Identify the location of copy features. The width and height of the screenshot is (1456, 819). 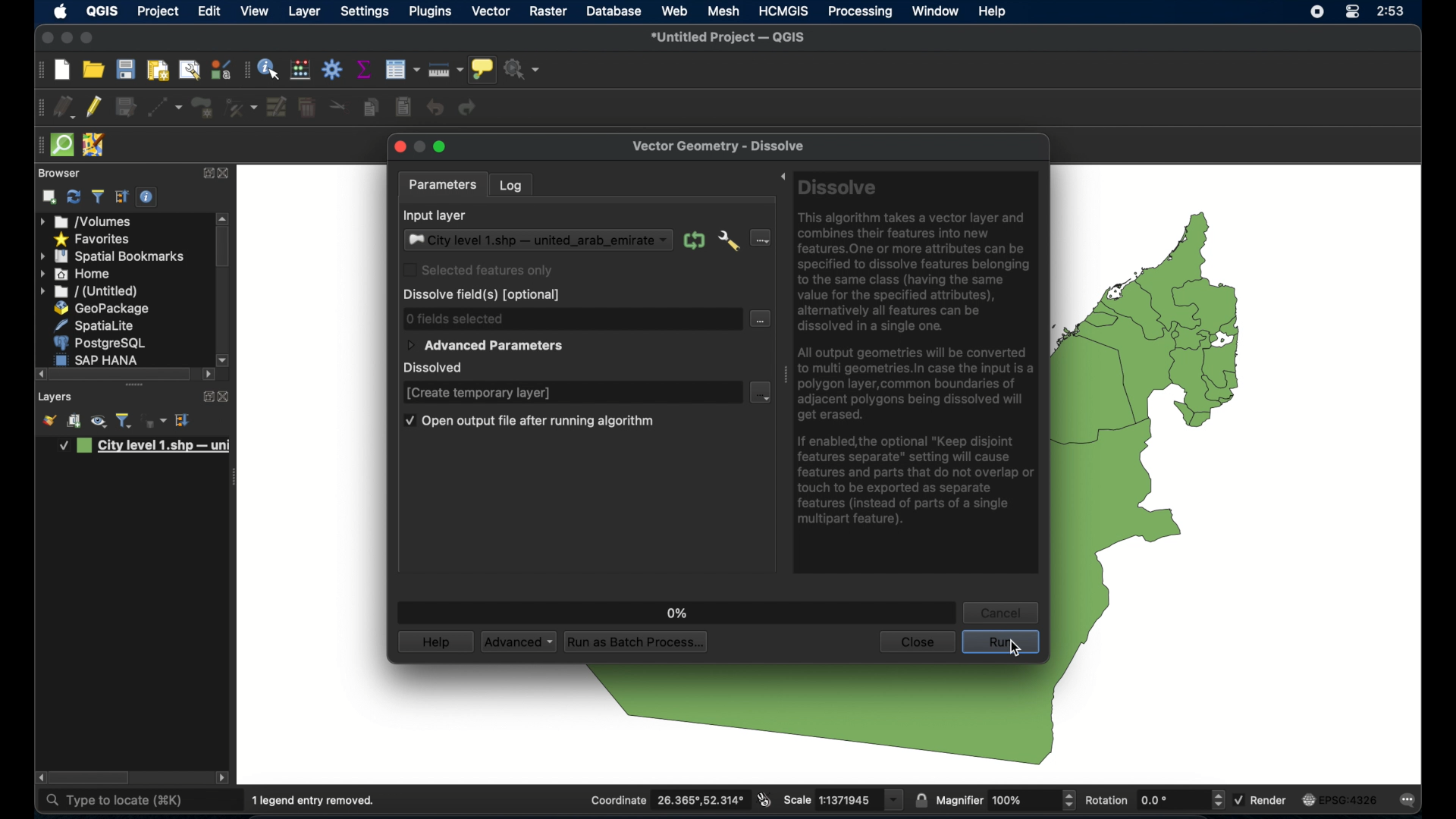
(371, 107).